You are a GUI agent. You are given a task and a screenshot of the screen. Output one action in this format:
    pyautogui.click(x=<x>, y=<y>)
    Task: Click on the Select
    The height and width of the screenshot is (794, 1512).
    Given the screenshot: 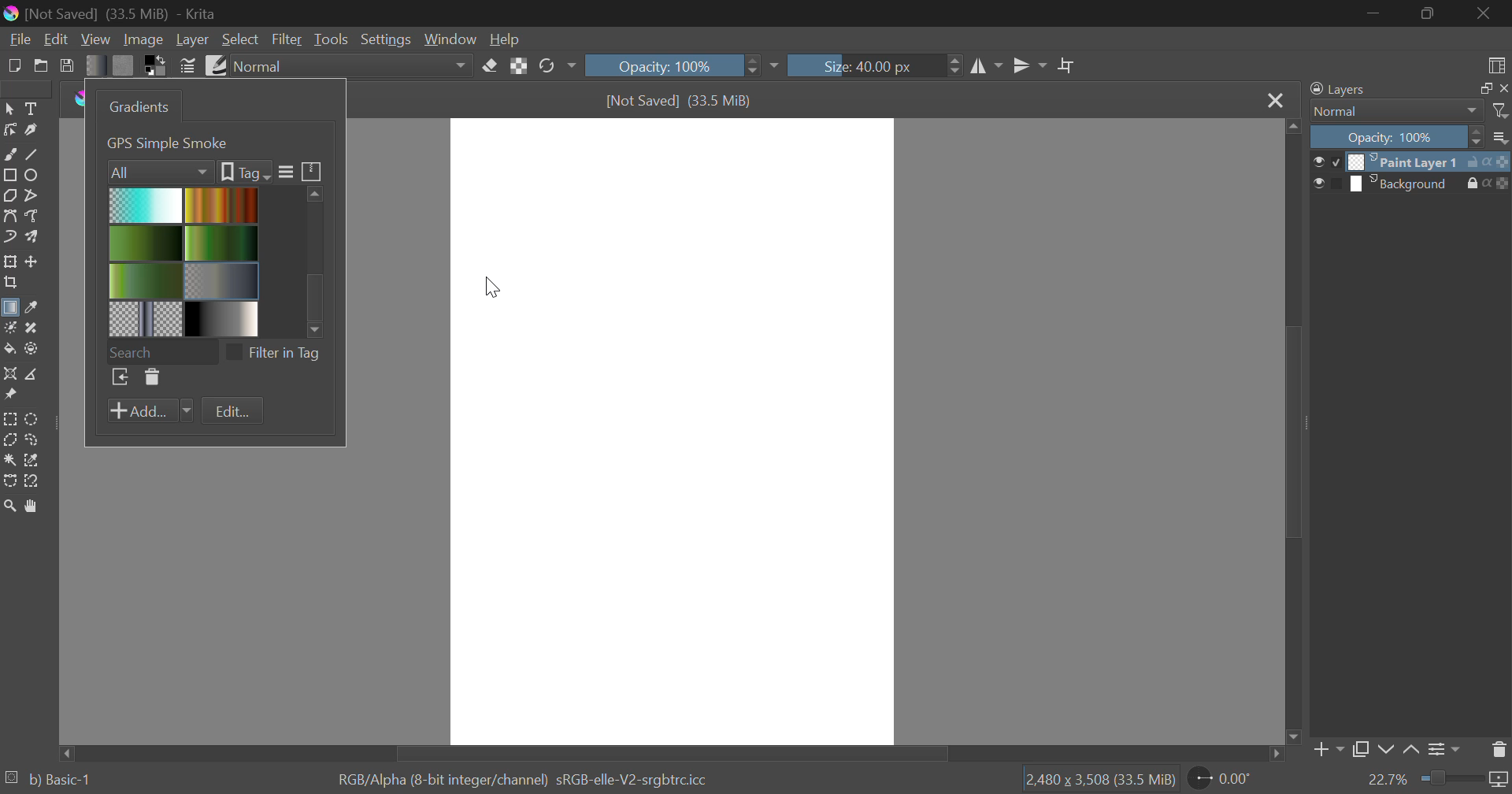 What is the action you would take?
    pyautogui.click(x=240, y=39)
    